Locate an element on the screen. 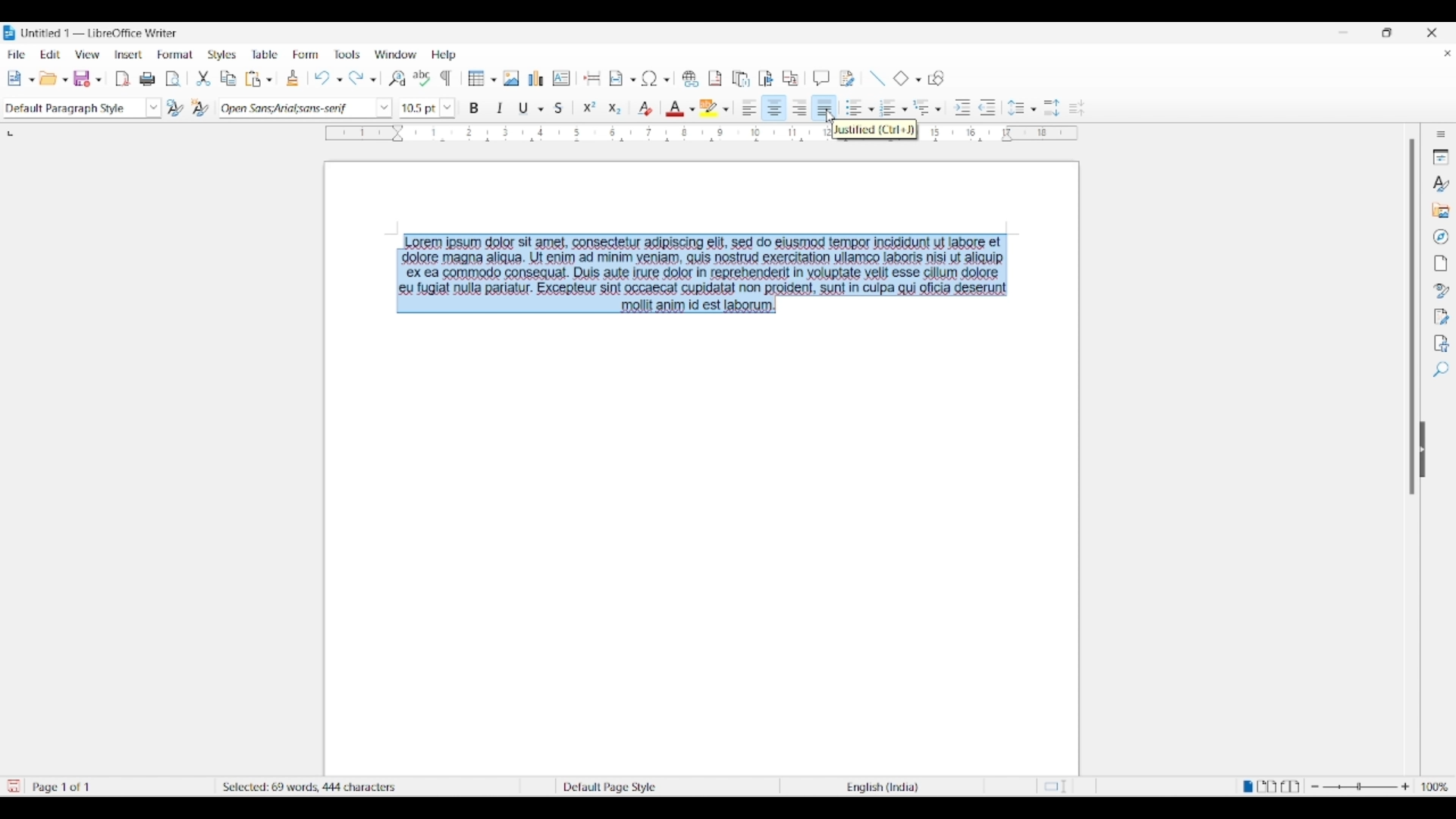 Image resolution: width=1456 pixels, height=819 pixels. Selected line spacing is located at coordinates (1015, 108).